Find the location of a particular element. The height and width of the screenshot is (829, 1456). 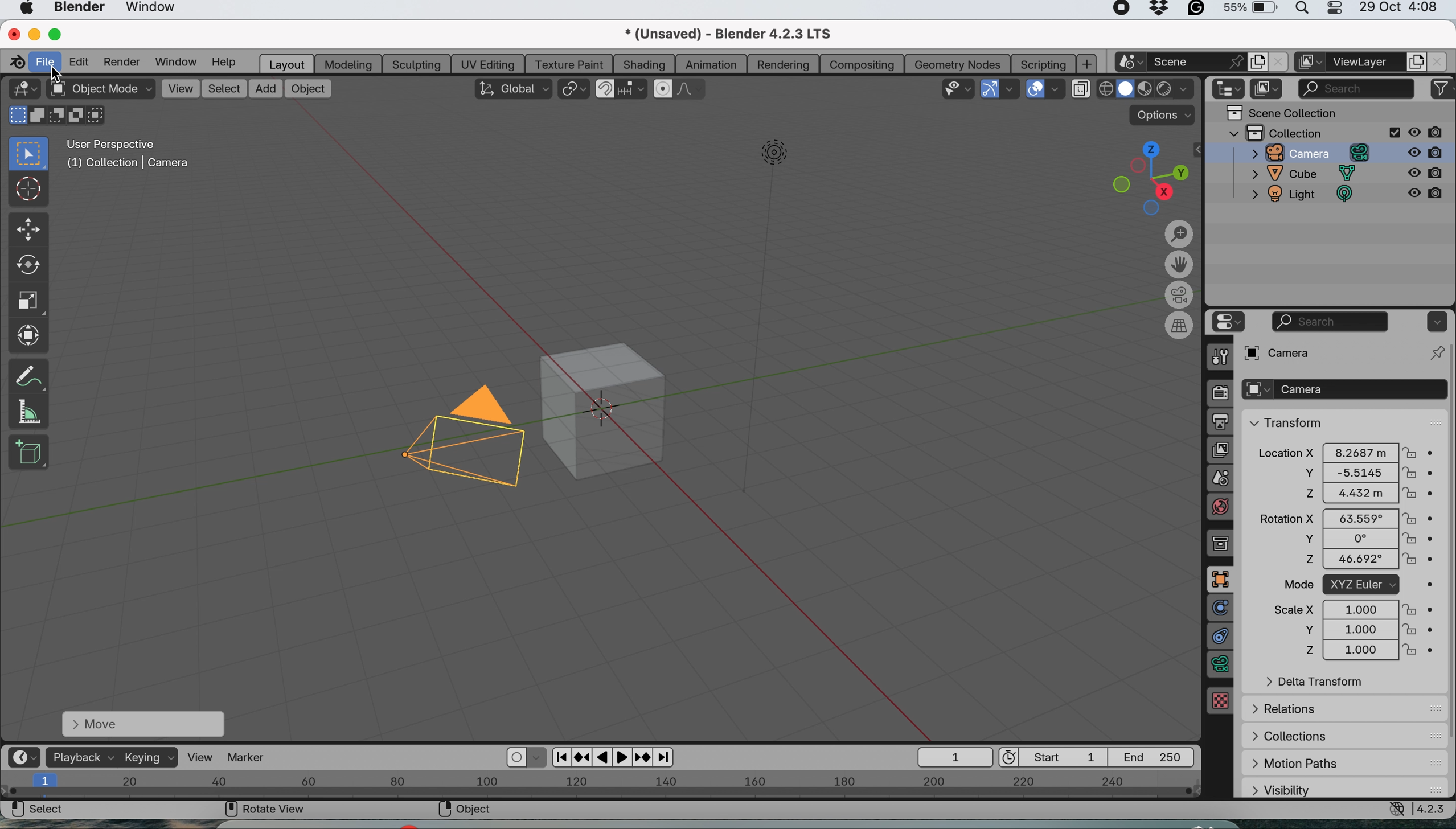

data is located at coordinates (1217, 666).